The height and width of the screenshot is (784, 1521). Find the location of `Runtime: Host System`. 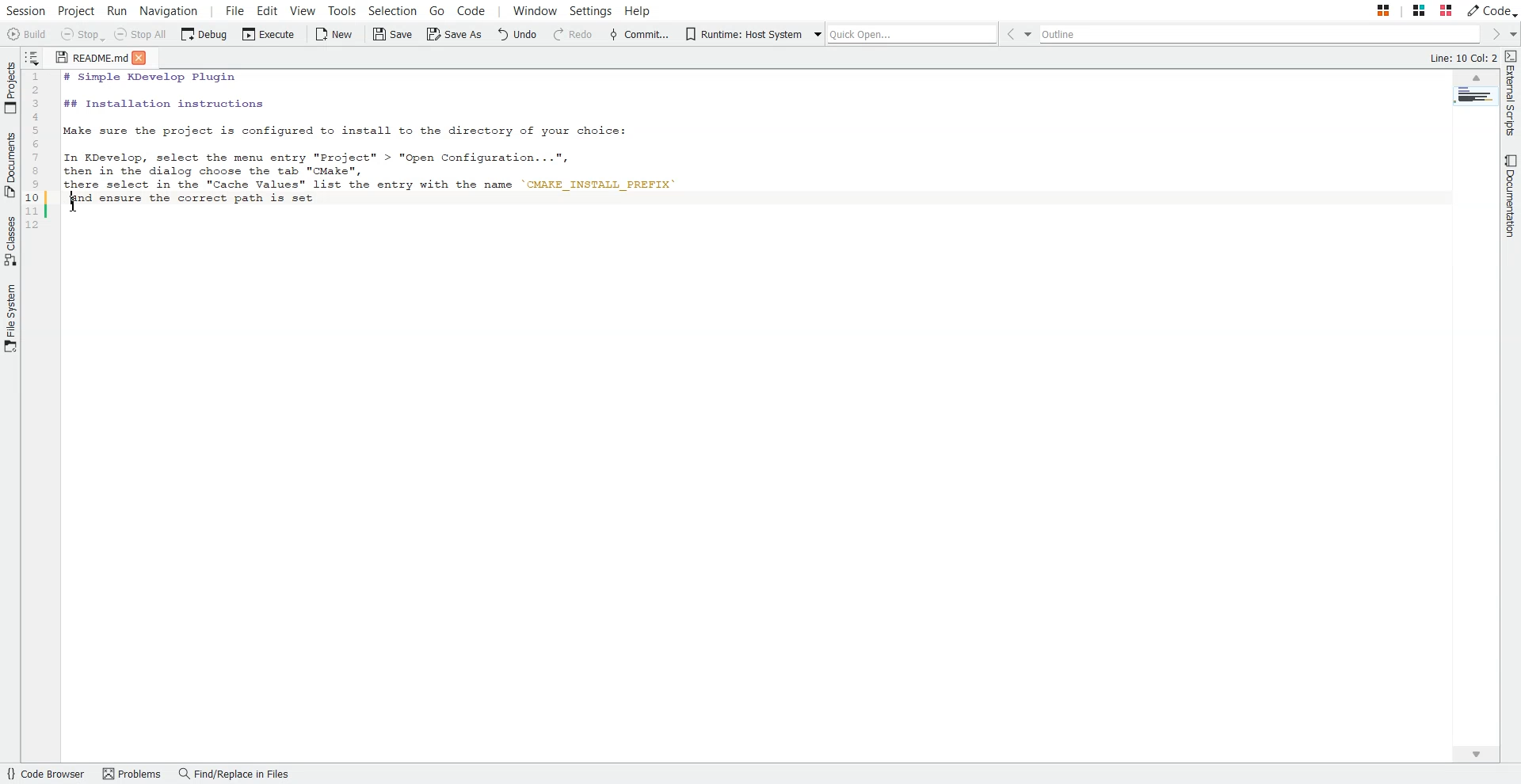

Runtime: Host System is located at coordinates (741, 35).